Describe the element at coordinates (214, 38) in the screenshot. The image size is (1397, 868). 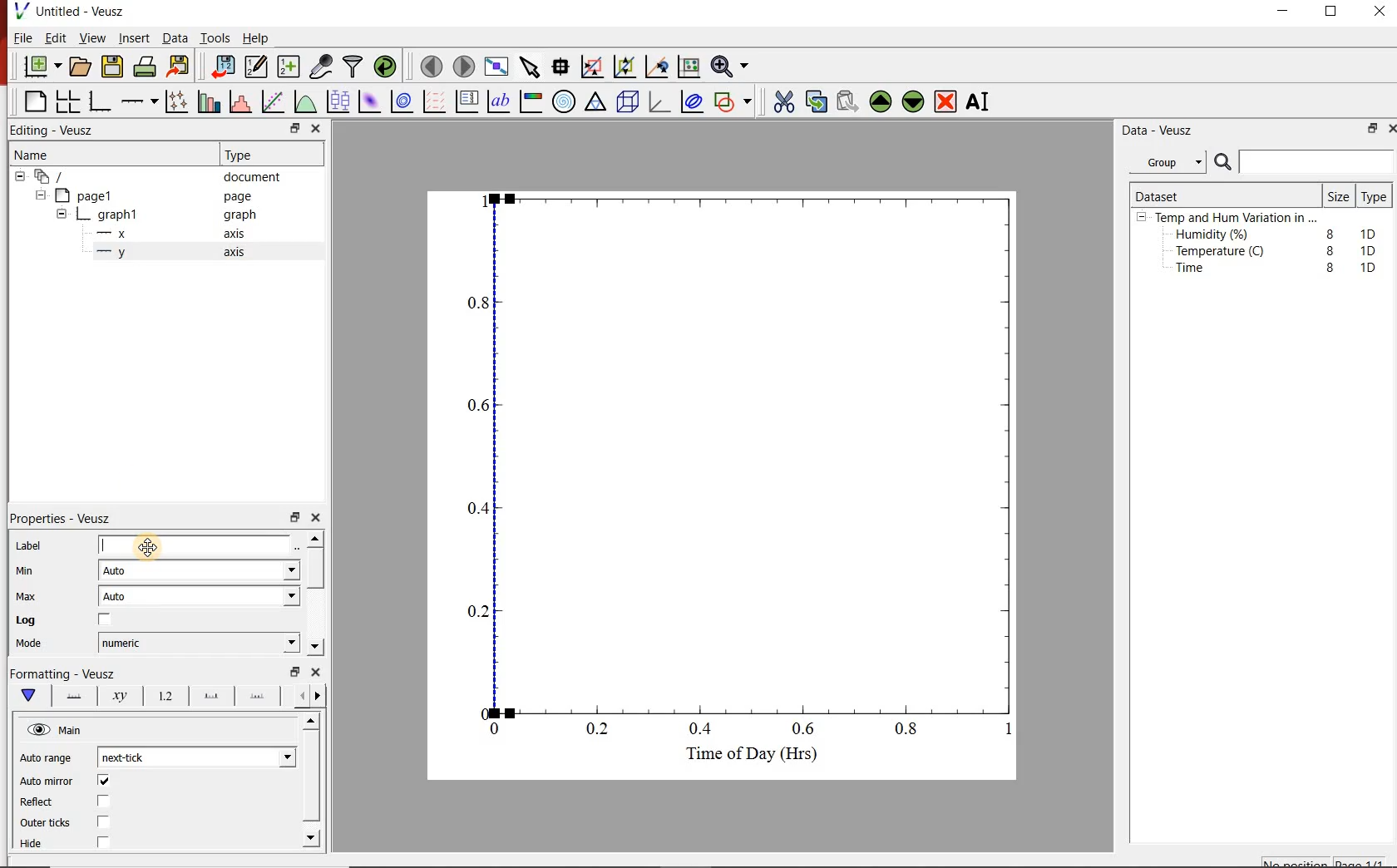
I see `Tools` at that location.